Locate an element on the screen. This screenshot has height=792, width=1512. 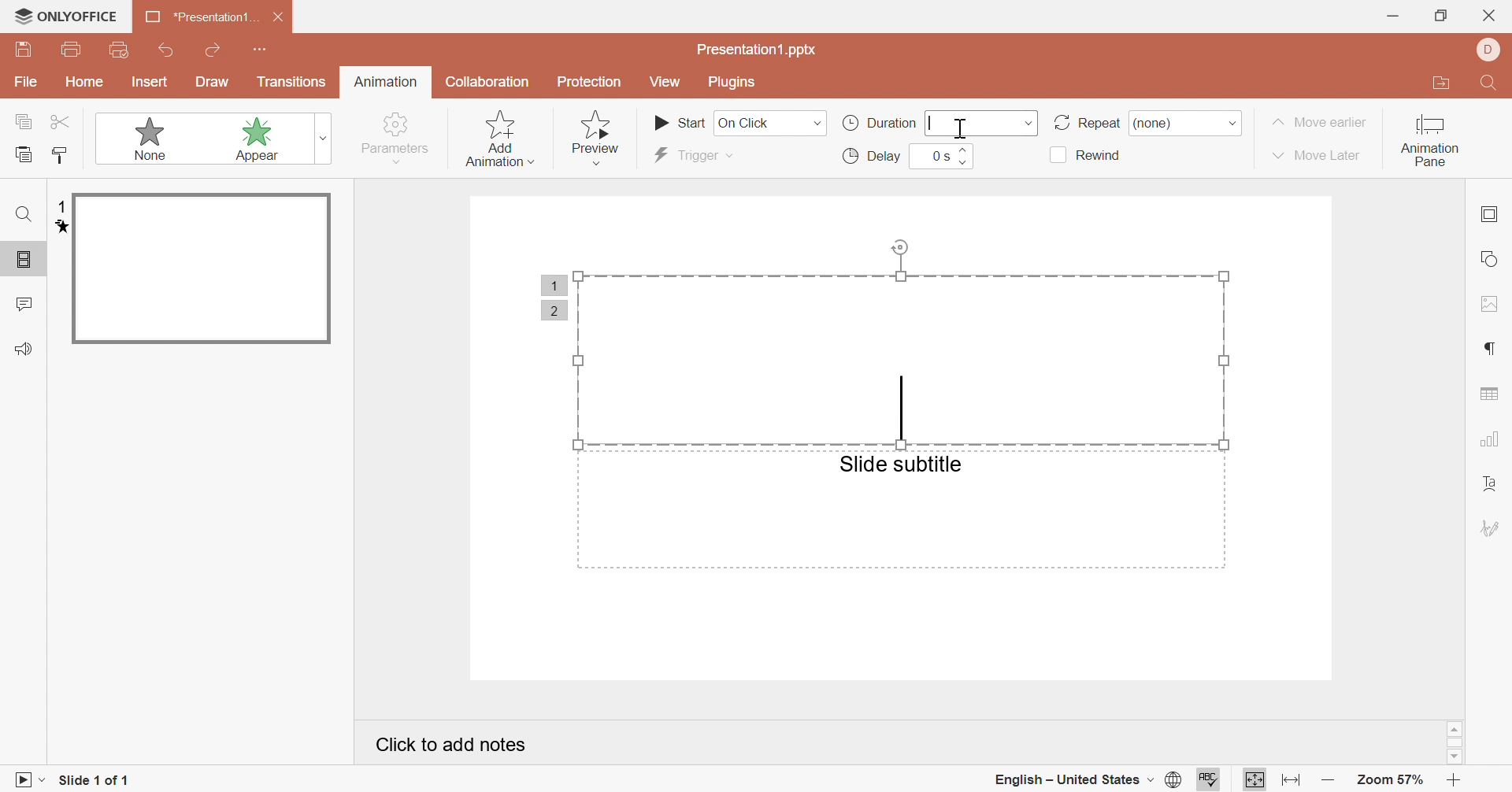
move earlier is located at coordinates (1319, 122).